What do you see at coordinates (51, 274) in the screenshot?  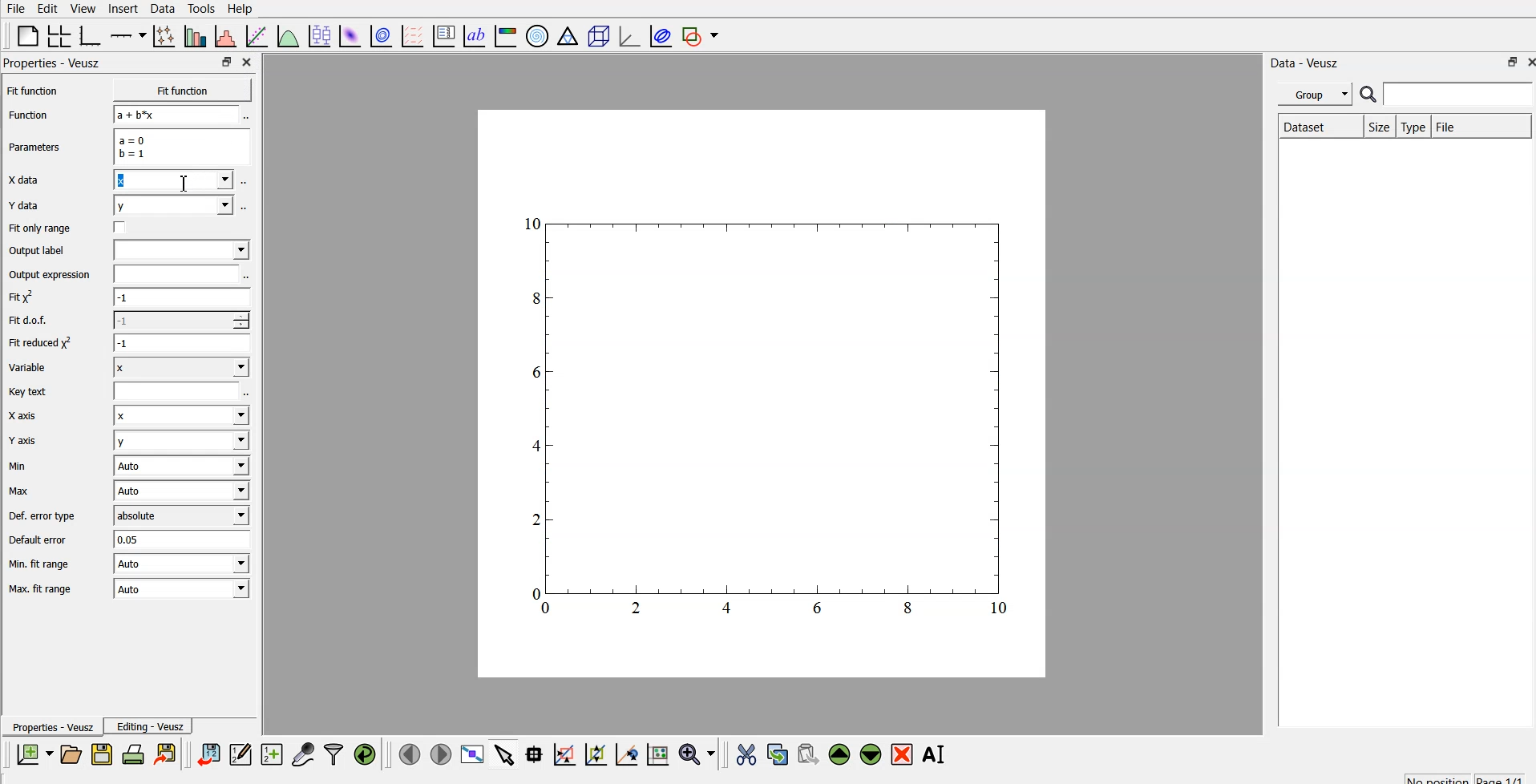 I see `Output expression` at bounding box center [51, 274].